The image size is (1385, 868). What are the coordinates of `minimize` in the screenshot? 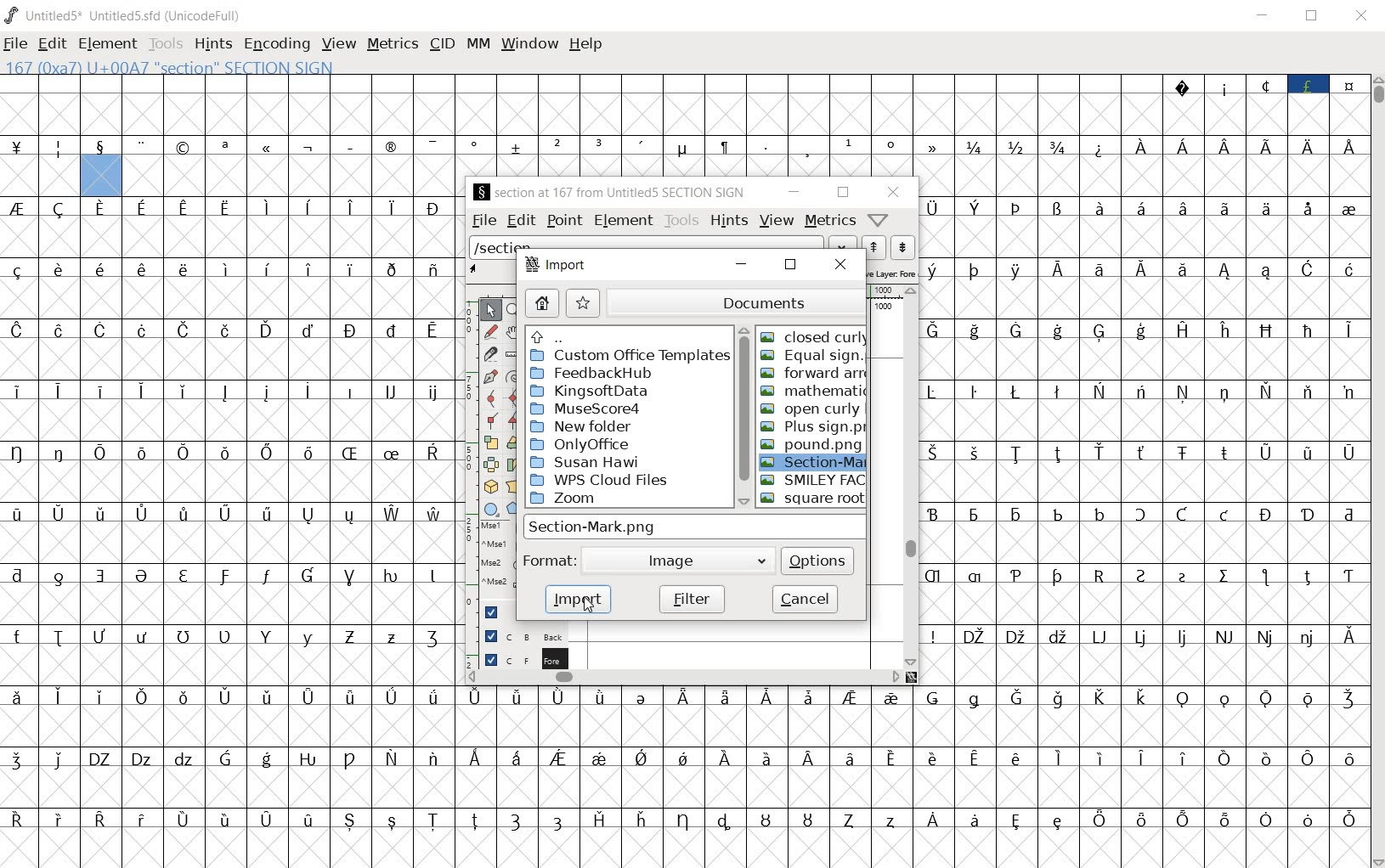 It's located at (793, 193).